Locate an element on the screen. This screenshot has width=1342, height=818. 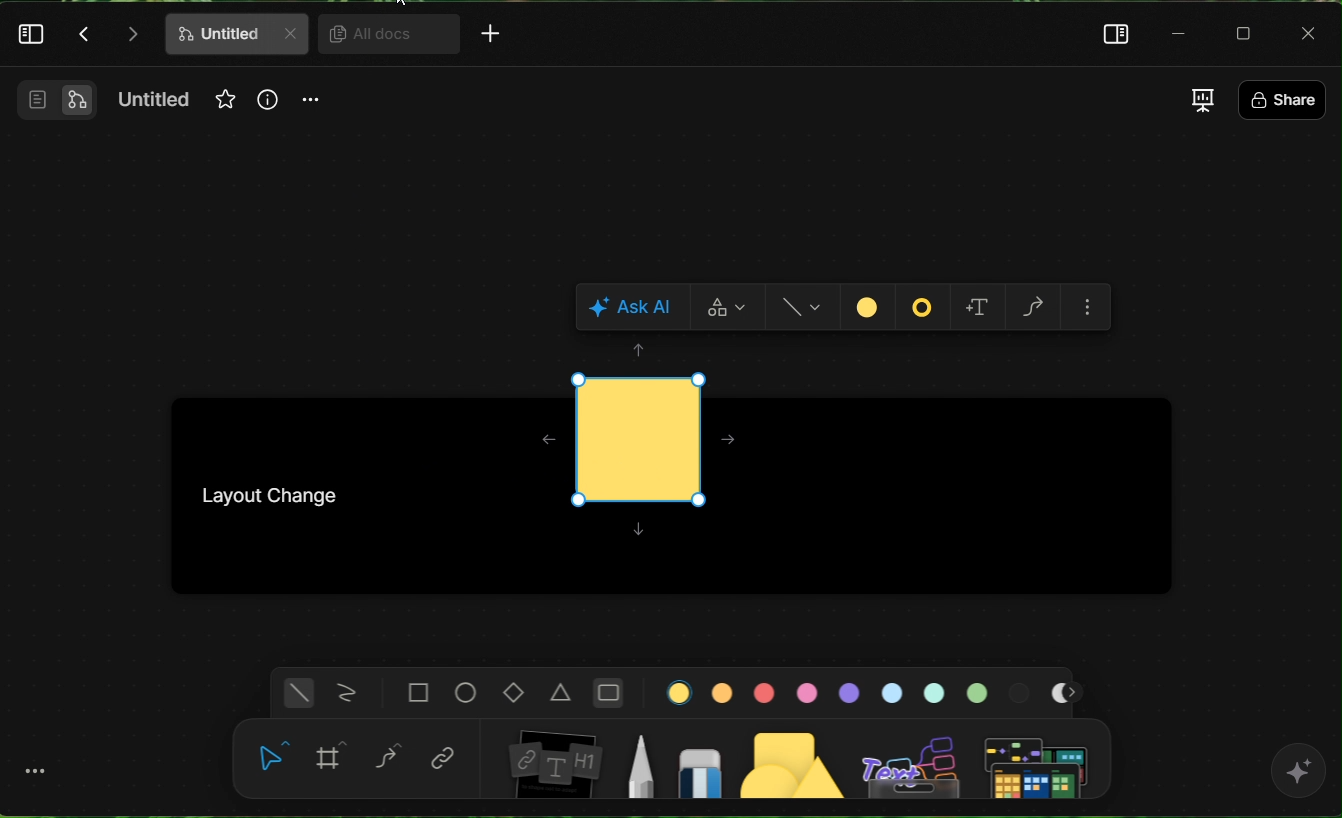
link is located at coordinates (444, 756).